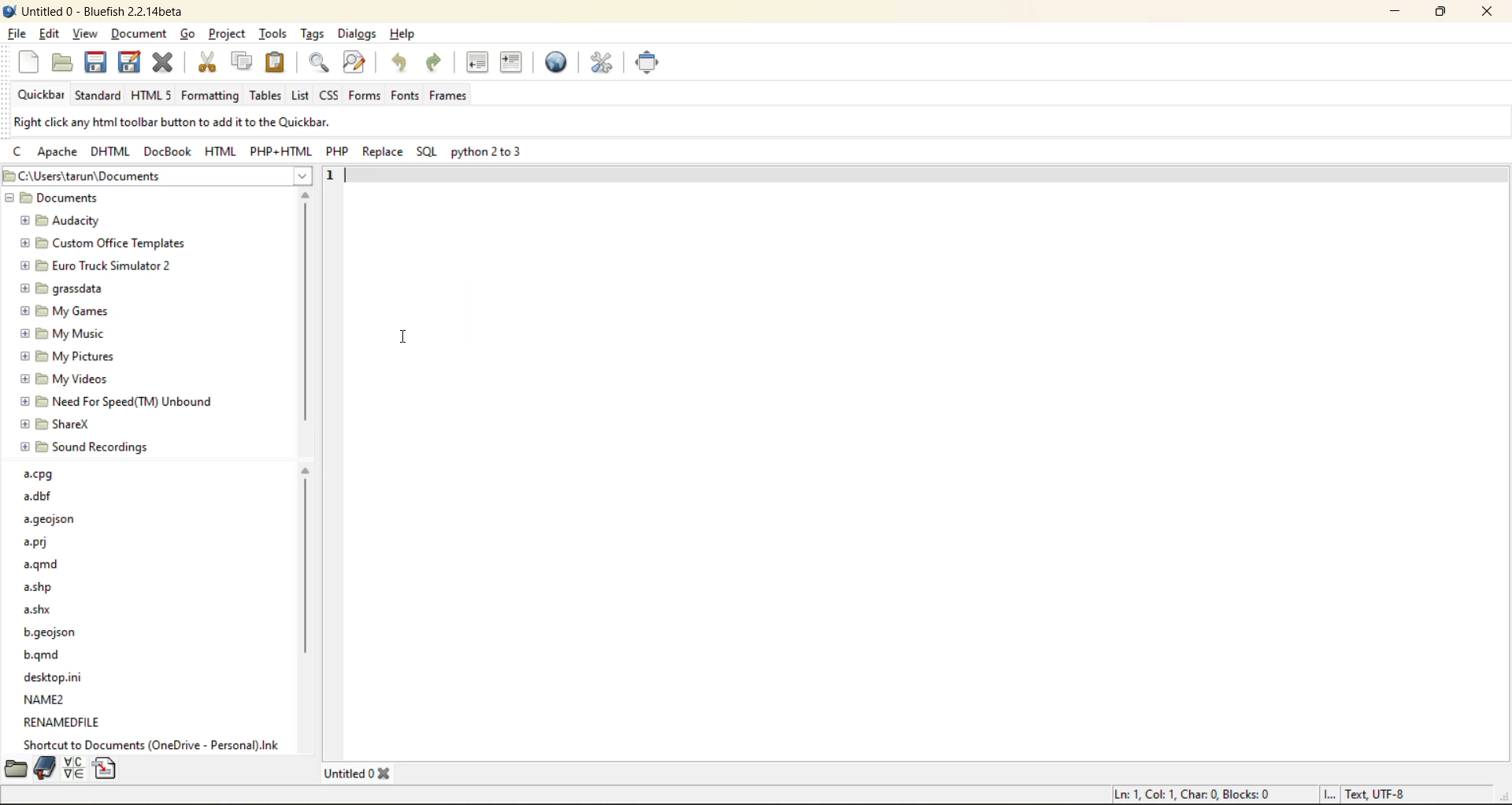  What do you see at coordinates (39, 542) in the screenshot?
I see `a.prj` at bounding box center [39, 542].